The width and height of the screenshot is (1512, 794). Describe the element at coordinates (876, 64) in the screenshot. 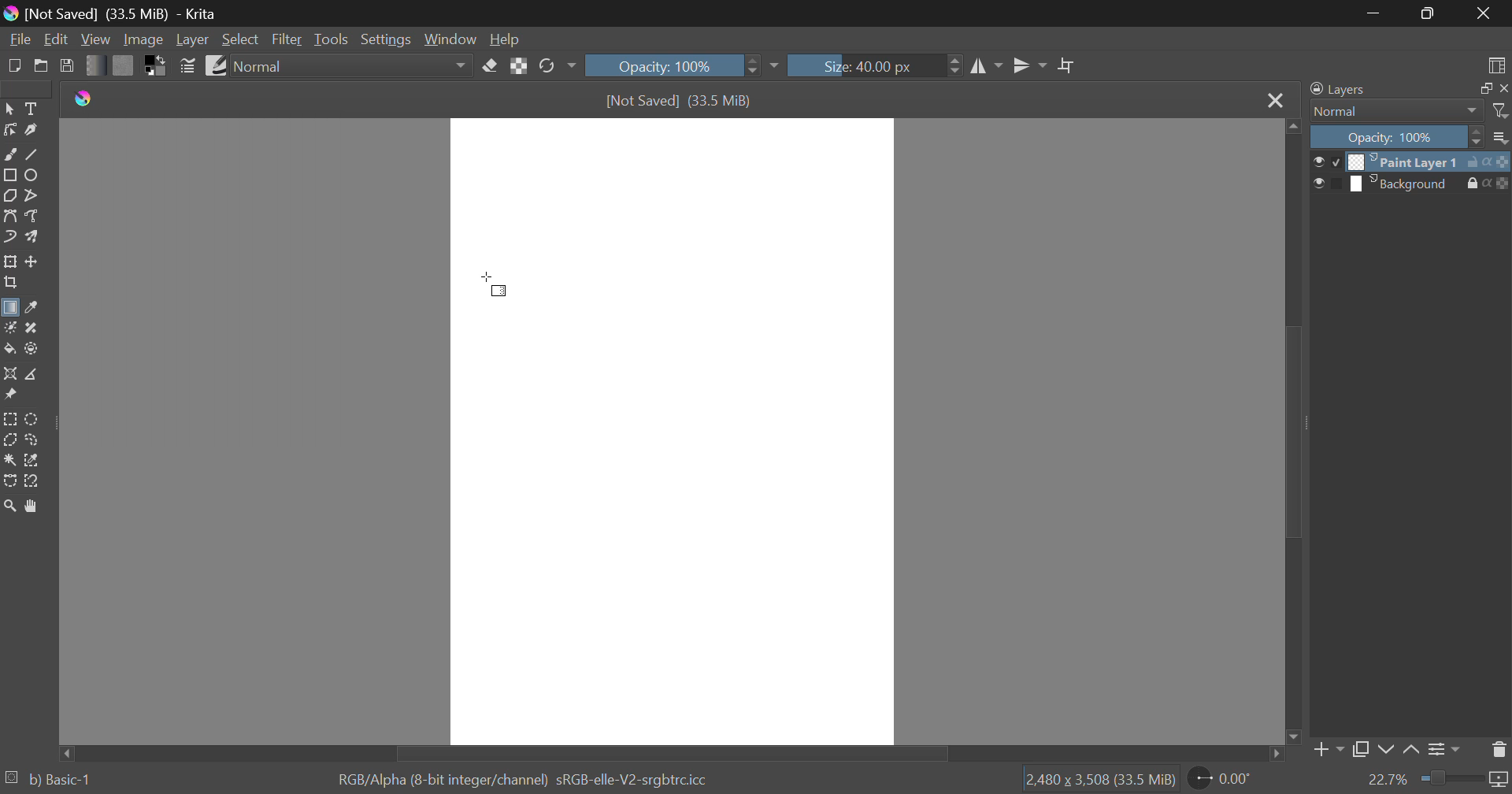

I see `Size: 40.00 px` at that location.